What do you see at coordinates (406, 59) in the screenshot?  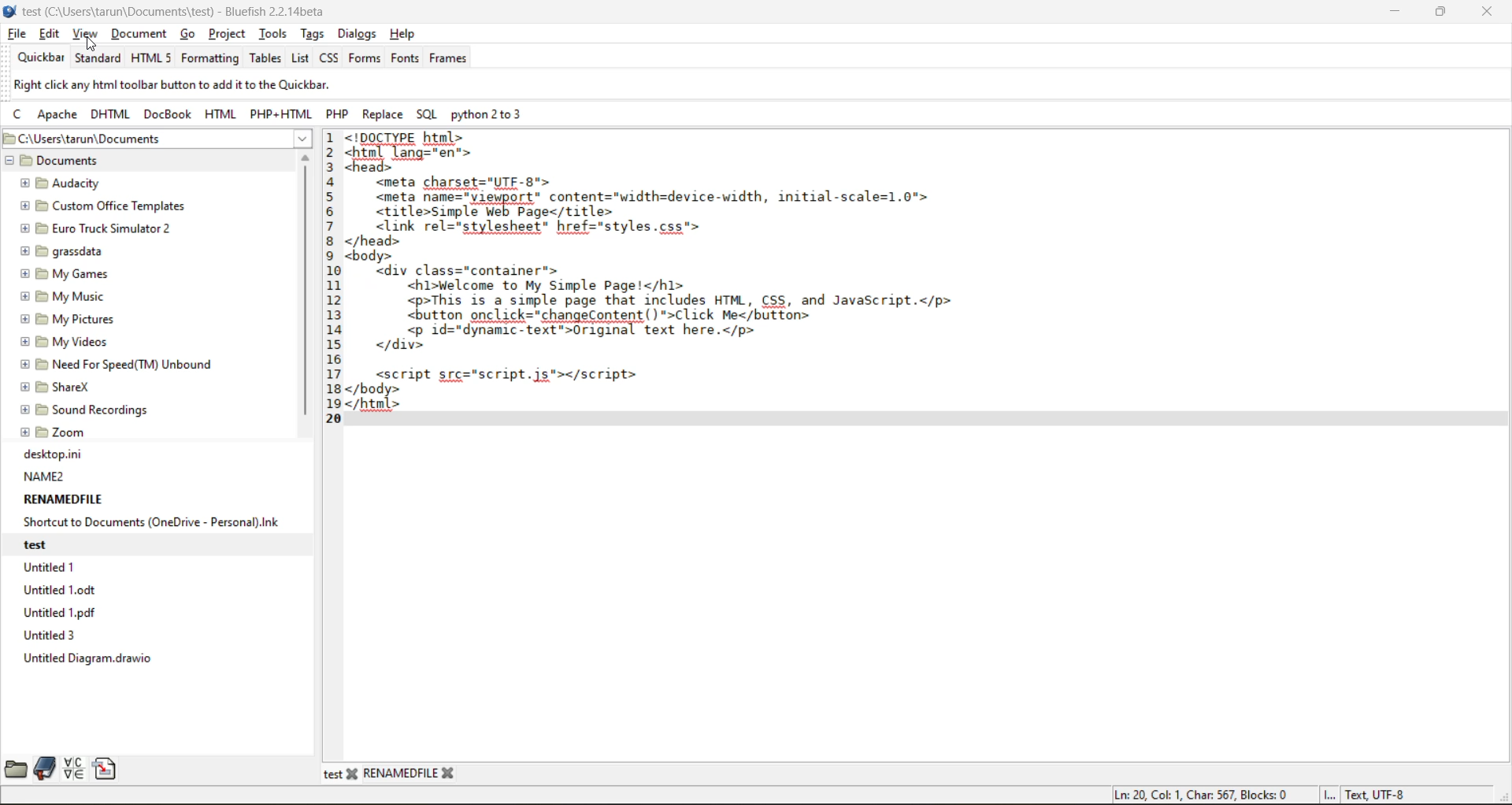 I see `fonts` at bounding box center [406, 59].